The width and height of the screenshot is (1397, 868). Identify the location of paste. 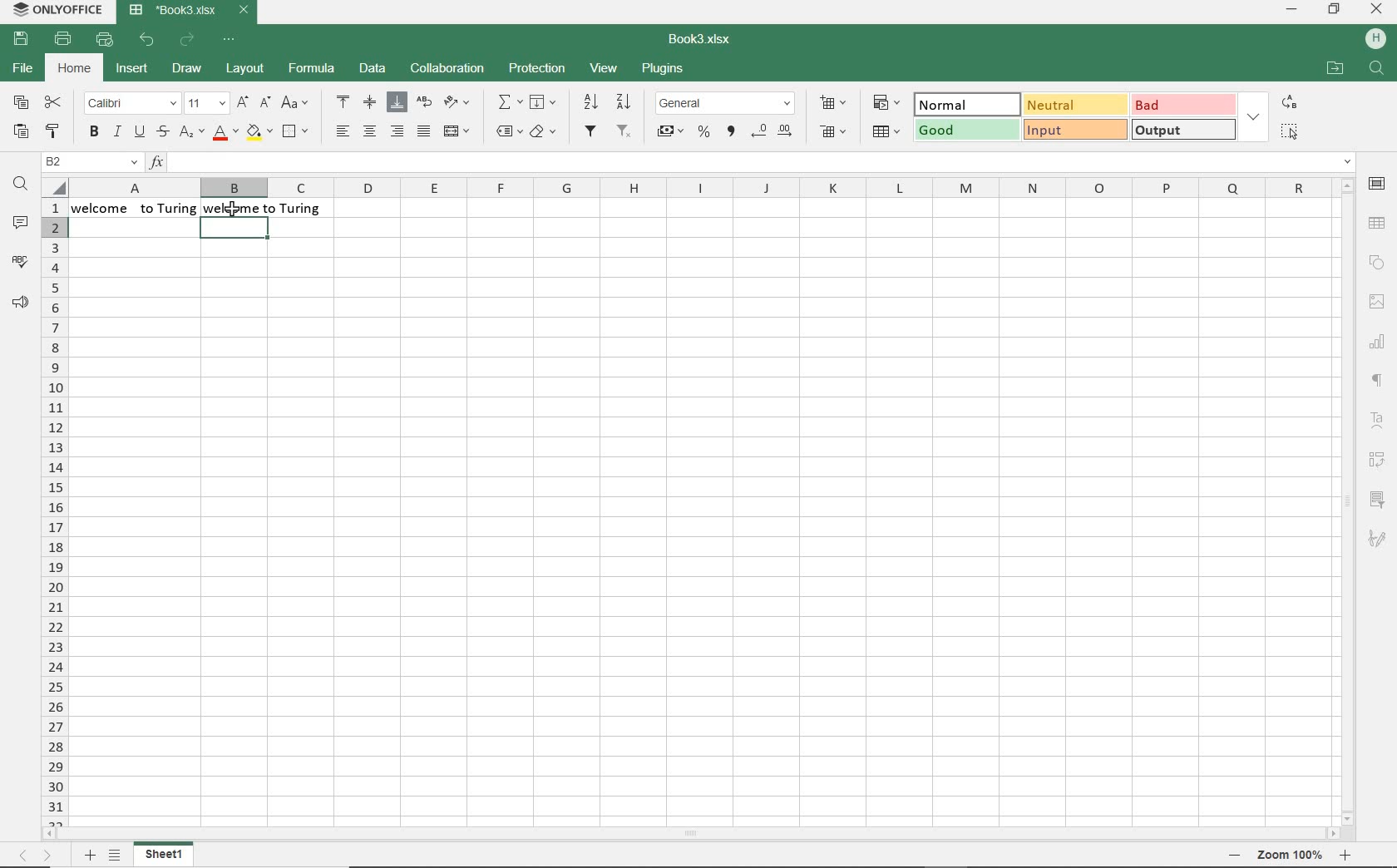
(19, 131).